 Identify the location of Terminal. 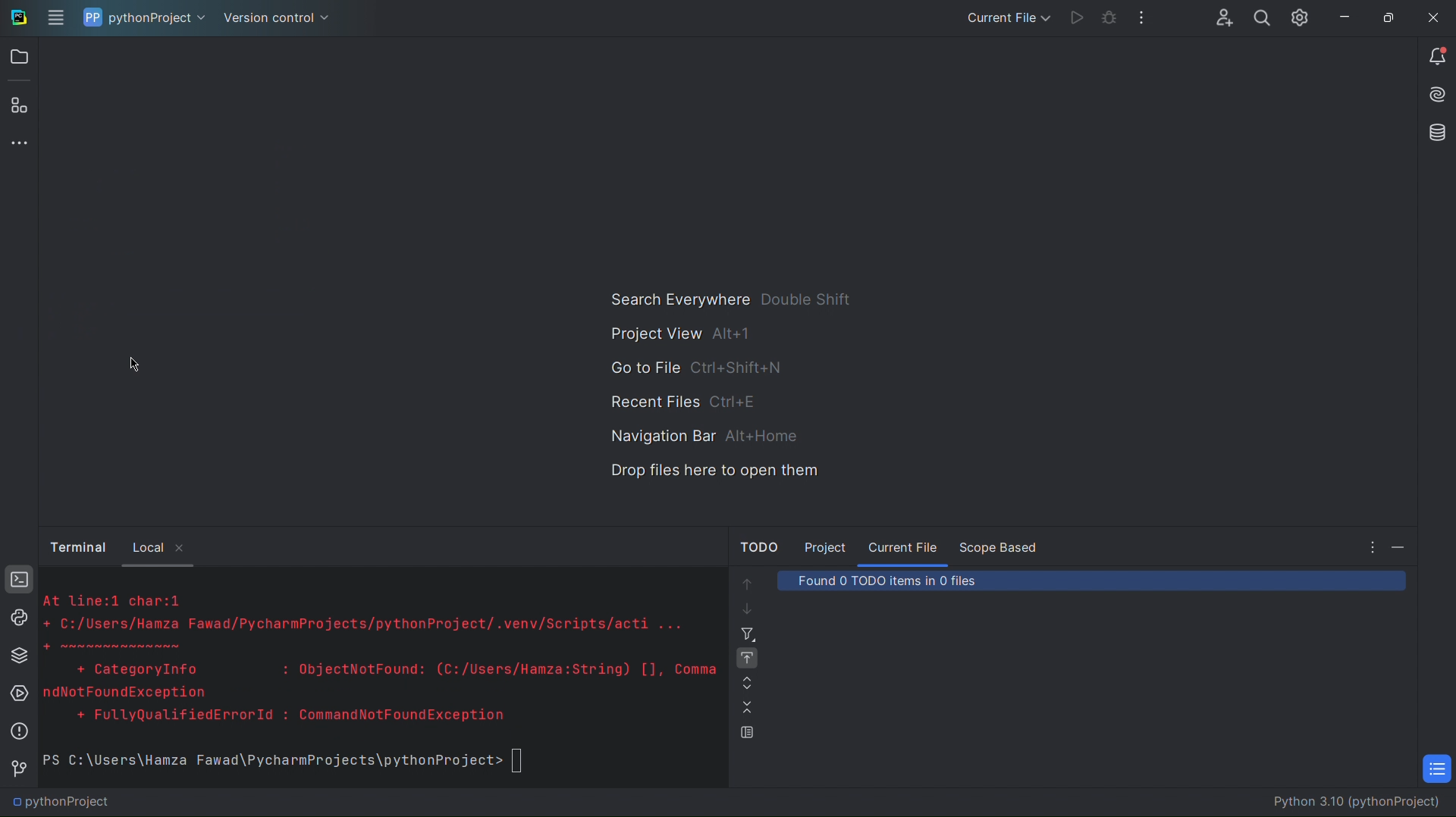
(19, 581).